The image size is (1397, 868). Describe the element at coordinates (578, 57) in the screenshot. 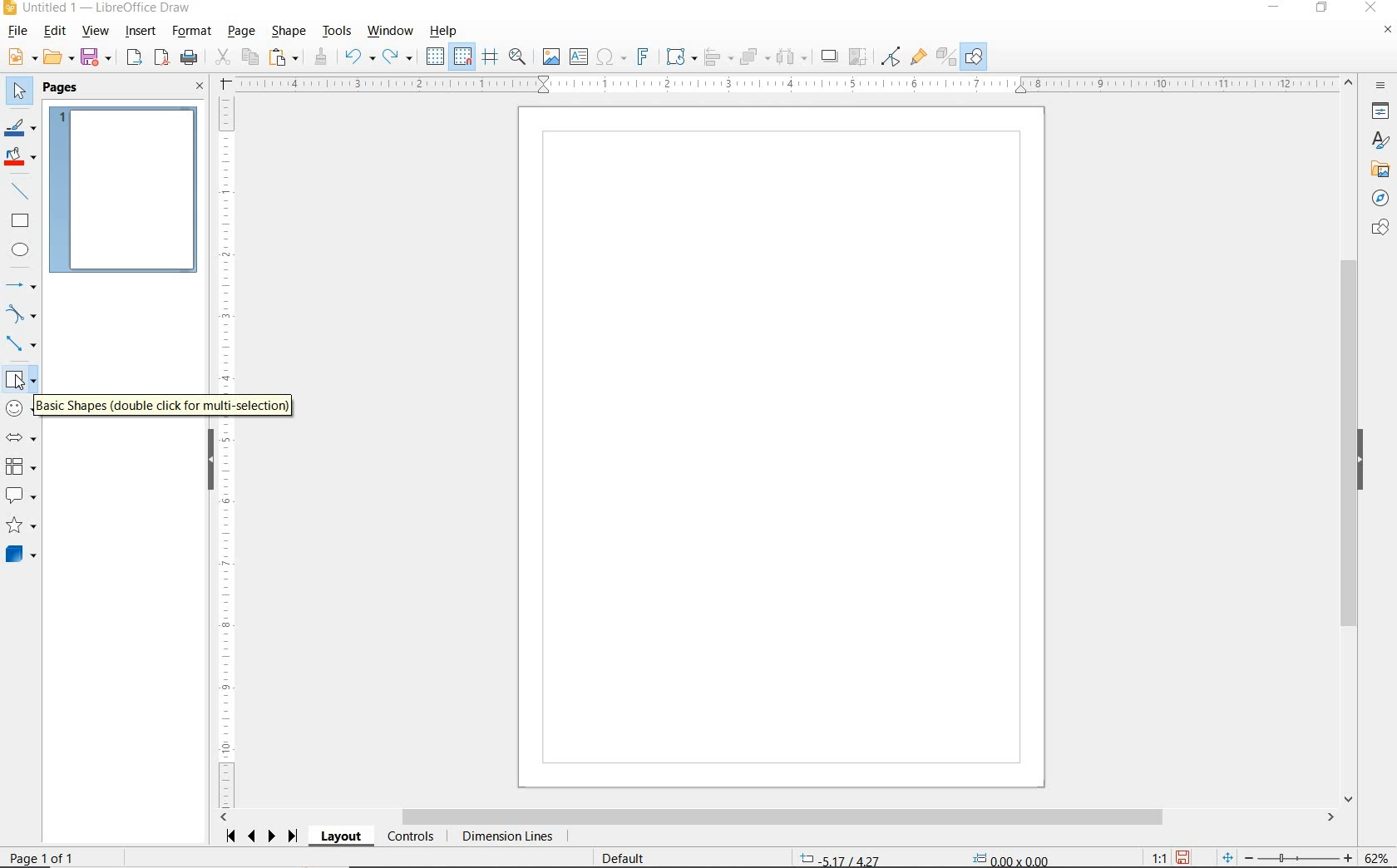

I see `INSERT TEXT BOX` at that location.